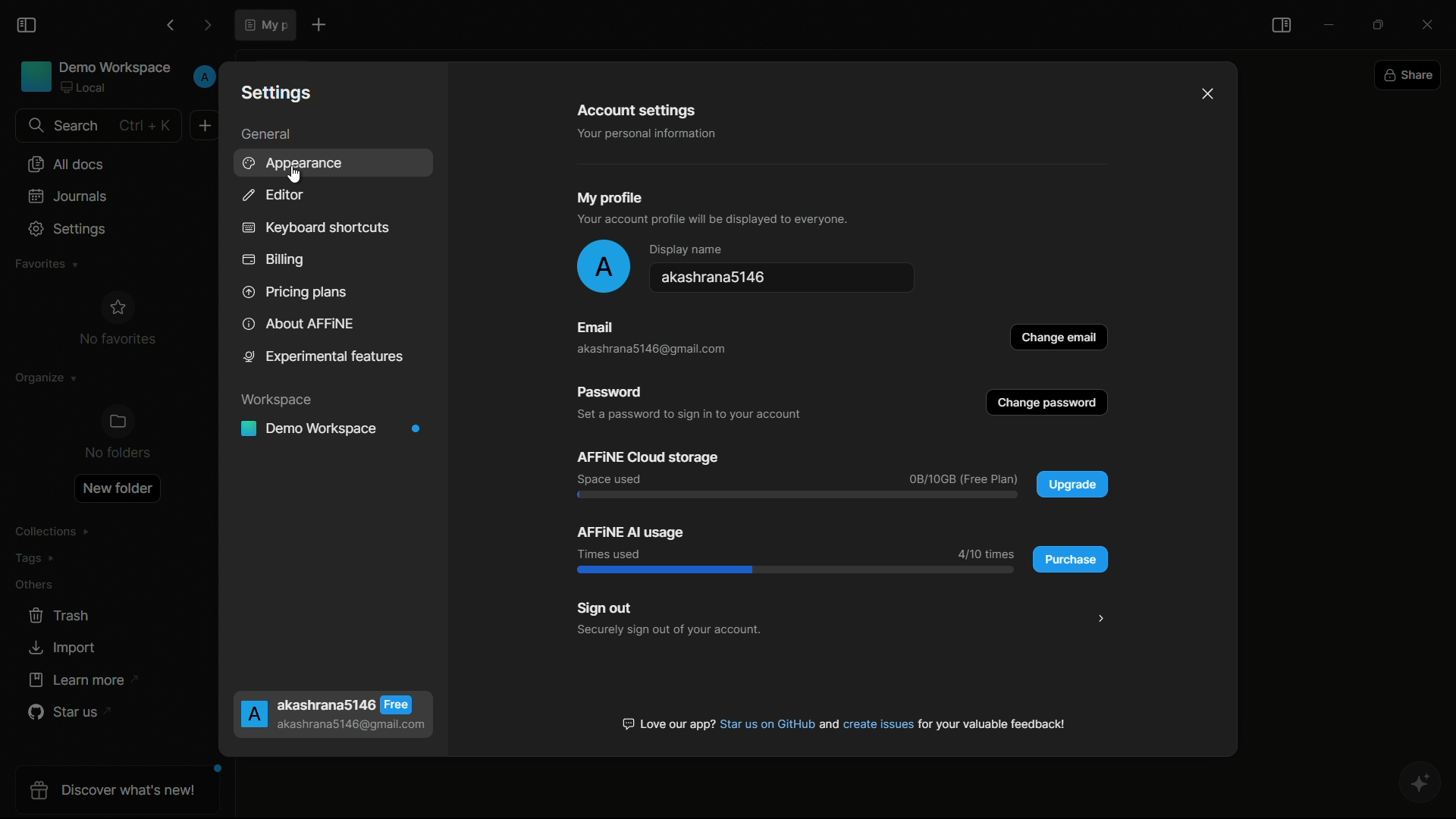 The height and width of the screenshot is (819, 1456). Describe the element at coordinates (52, 532) in the screenshot. I see `collections` at that location.